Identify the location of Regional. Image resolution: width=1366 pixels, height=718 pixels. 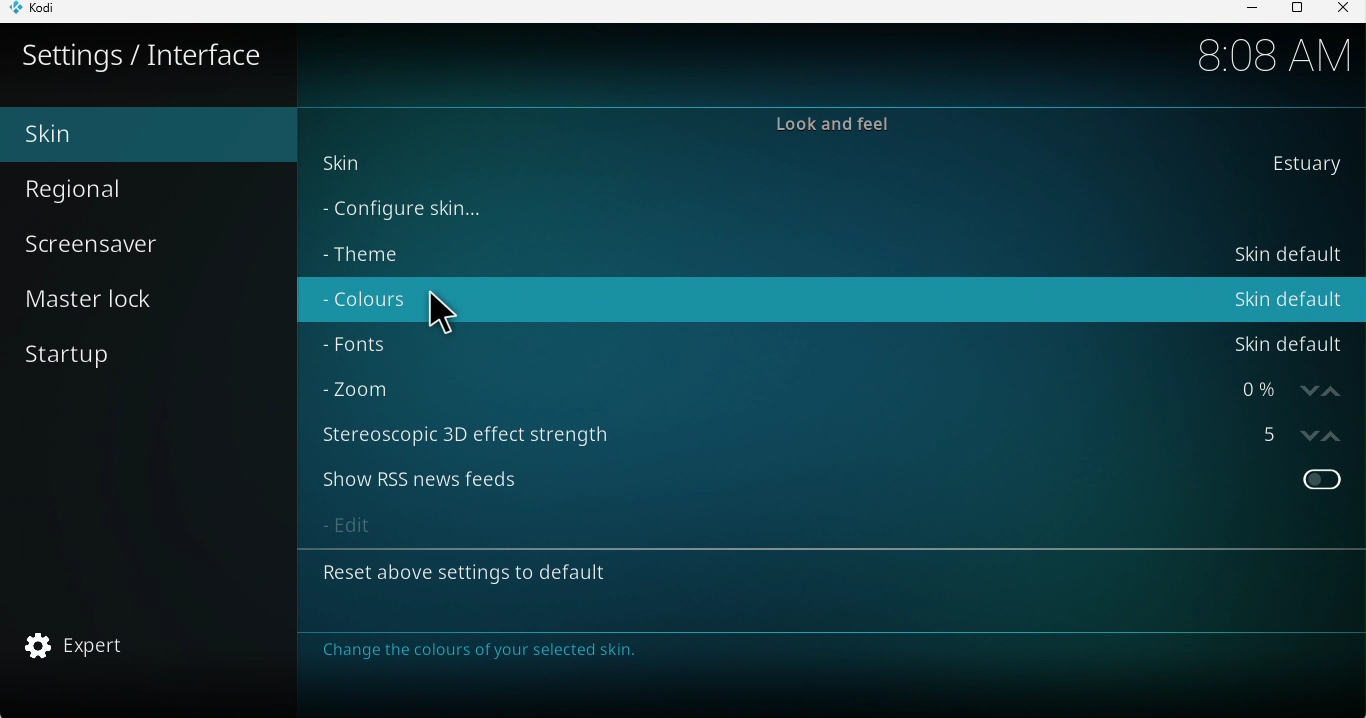
(117, 191).